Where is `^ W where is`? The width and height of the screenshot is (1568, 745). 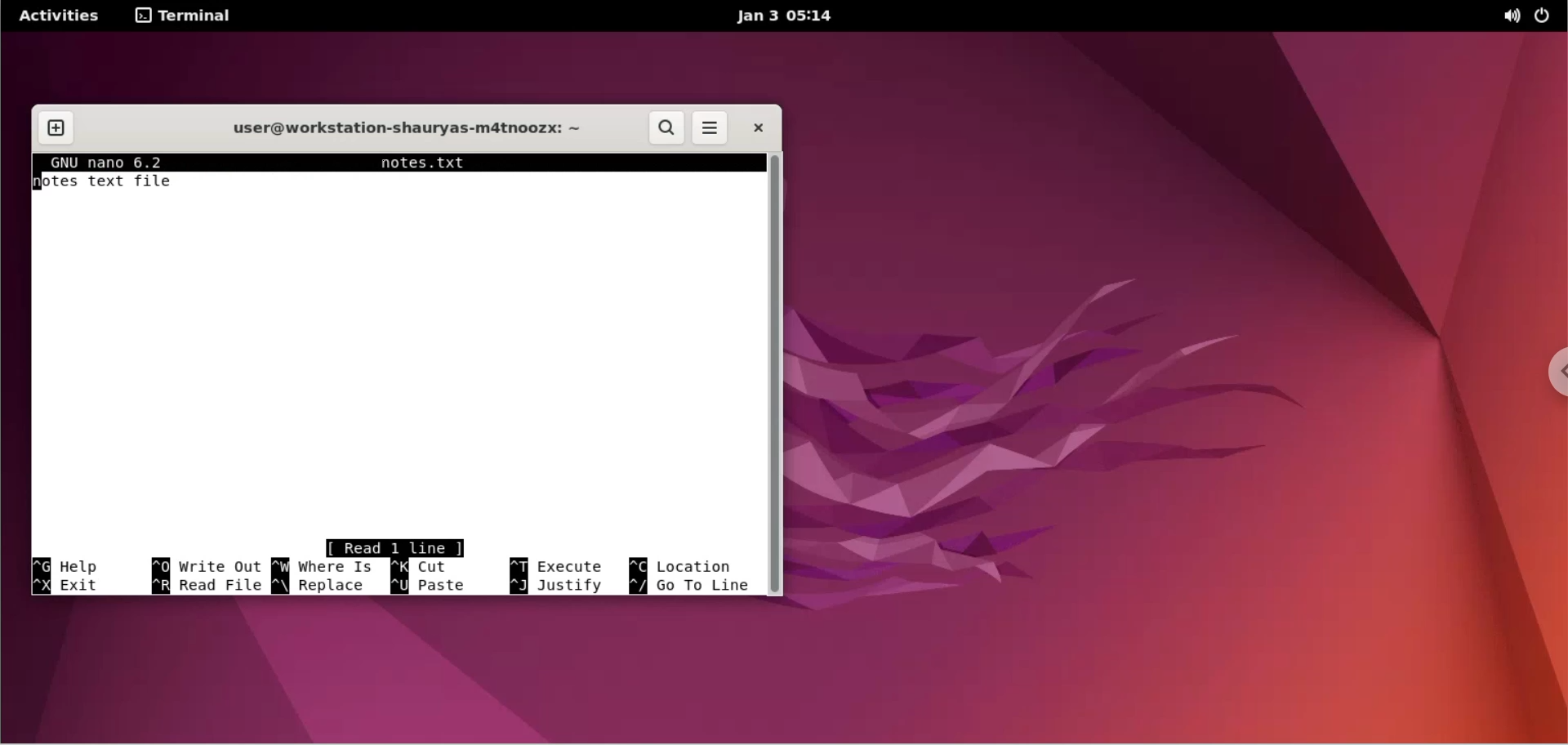
^ W where is is located at coordinates (332, 565).